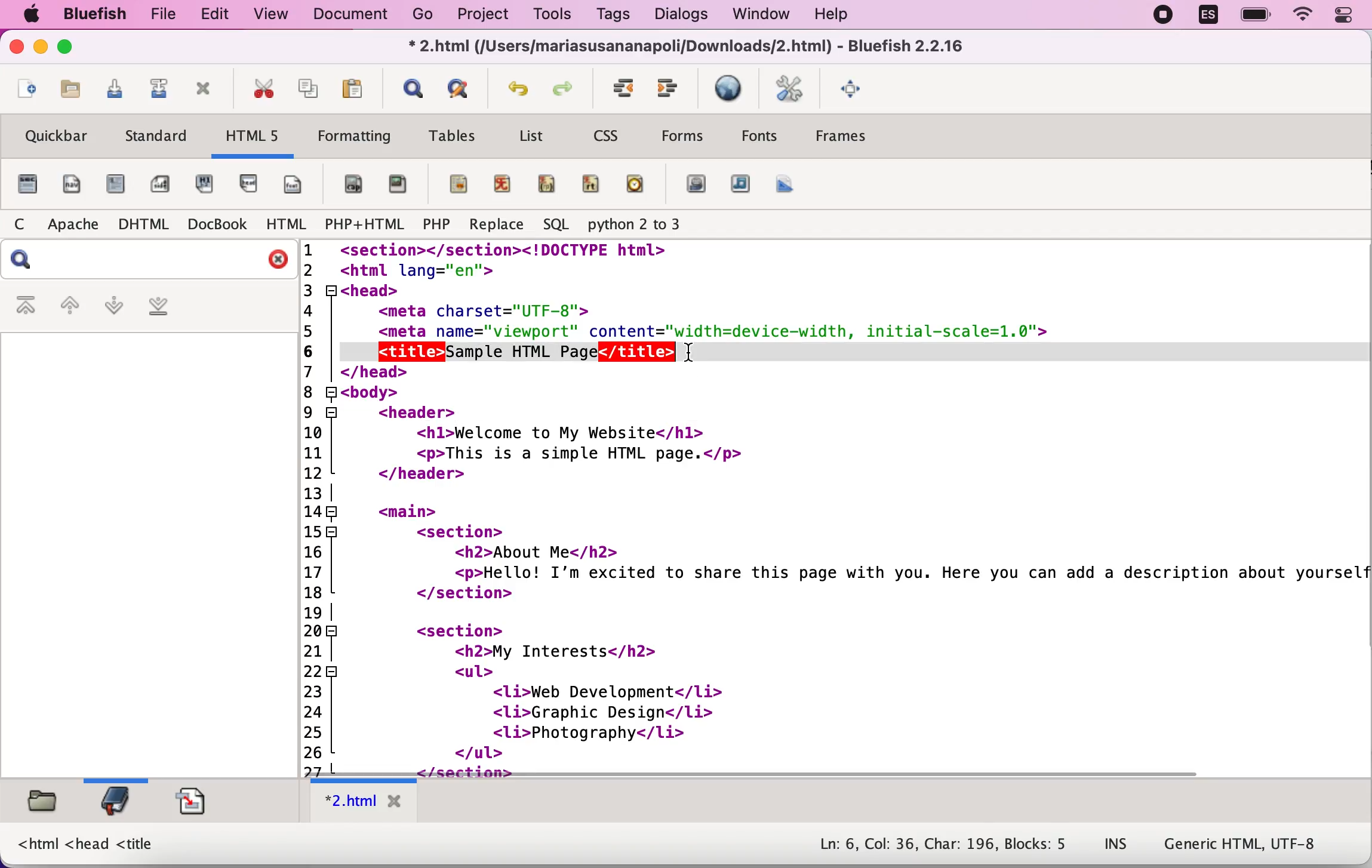 The height and width of the screenshot is (868, 1372). I want to click on preview in browser, so click(730, 90).